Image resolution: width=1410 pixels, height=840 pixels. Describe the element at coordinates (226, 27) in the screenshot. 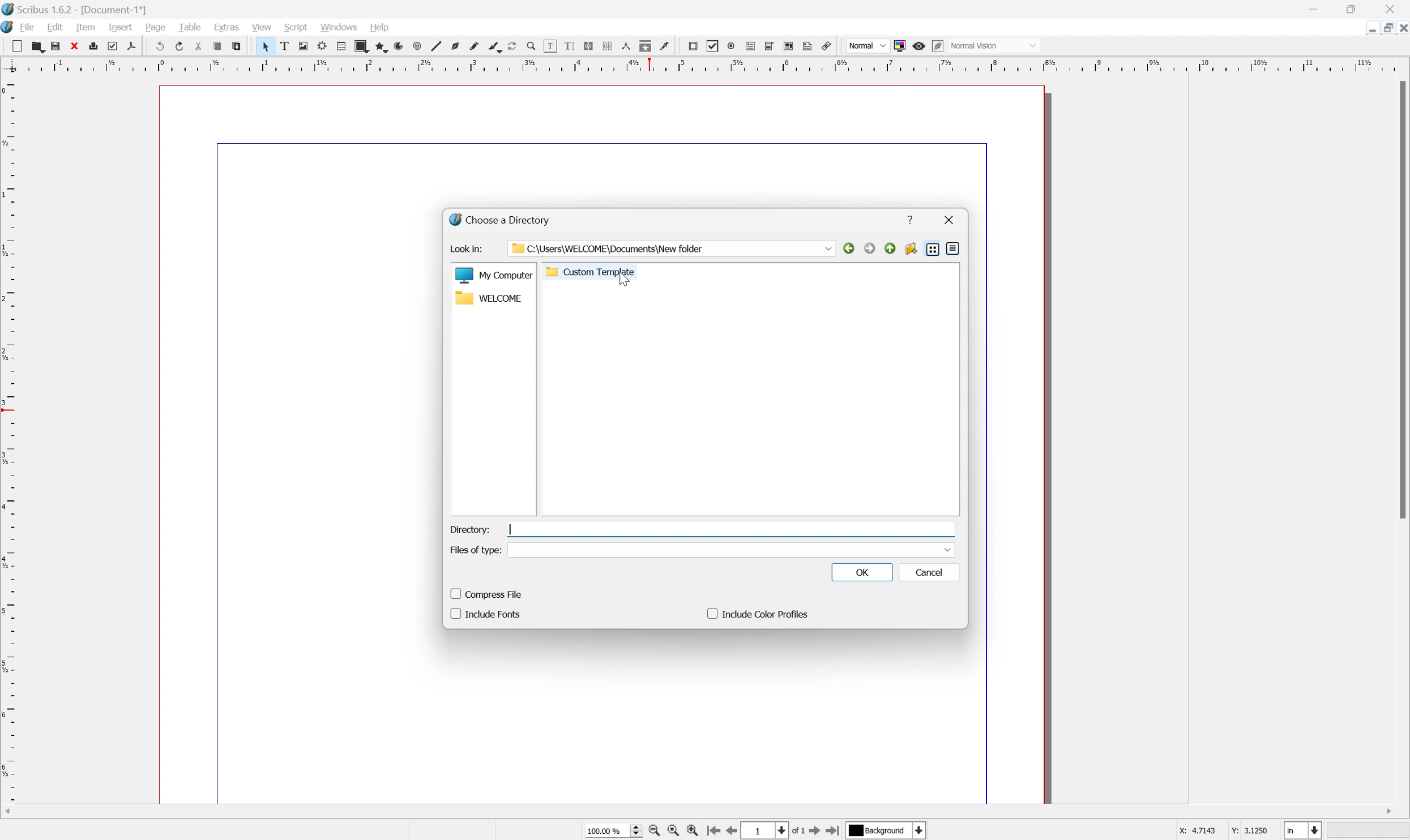

I see `extras` at that location.